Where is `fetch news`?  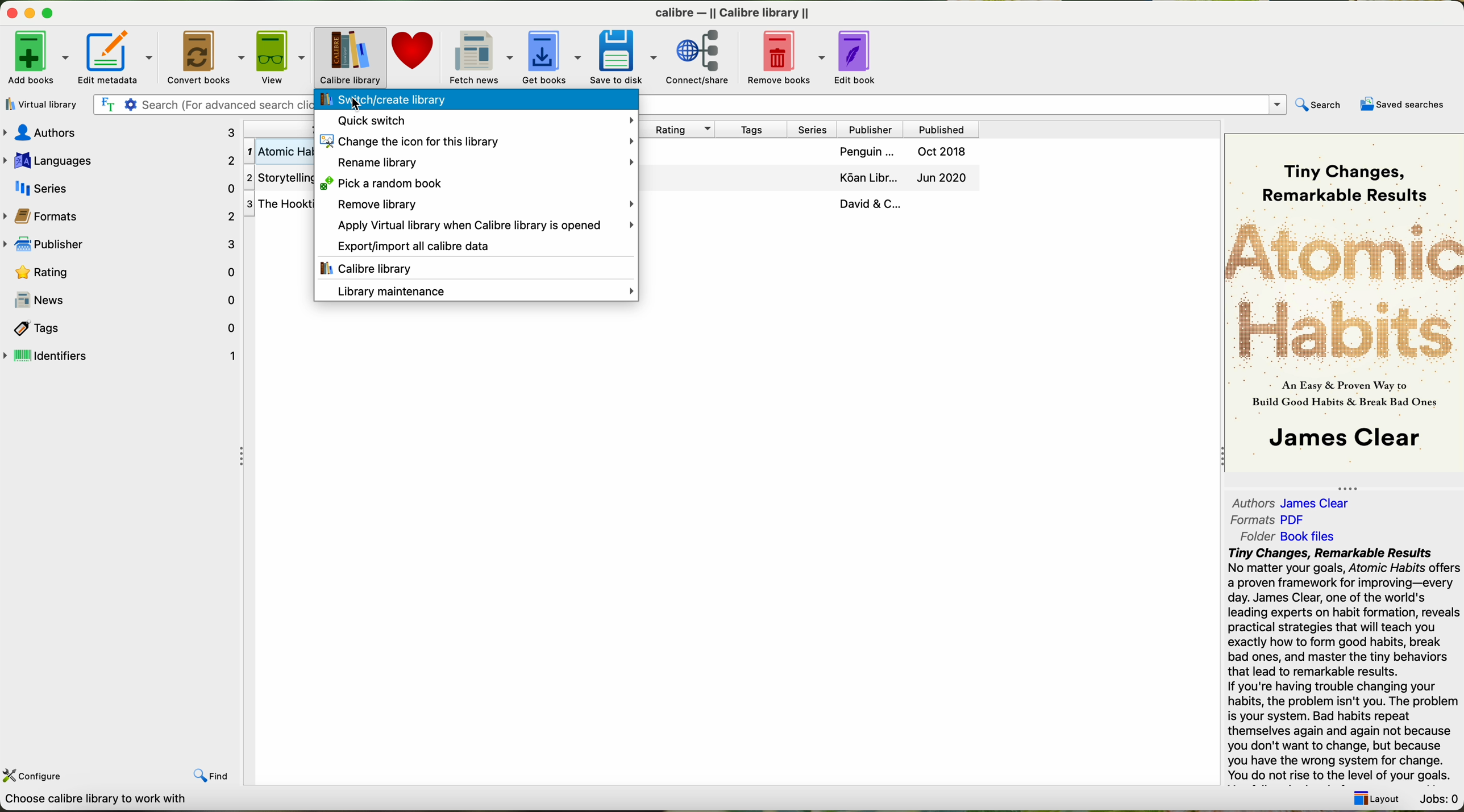
fetch news is located at coordinates (479, 56).